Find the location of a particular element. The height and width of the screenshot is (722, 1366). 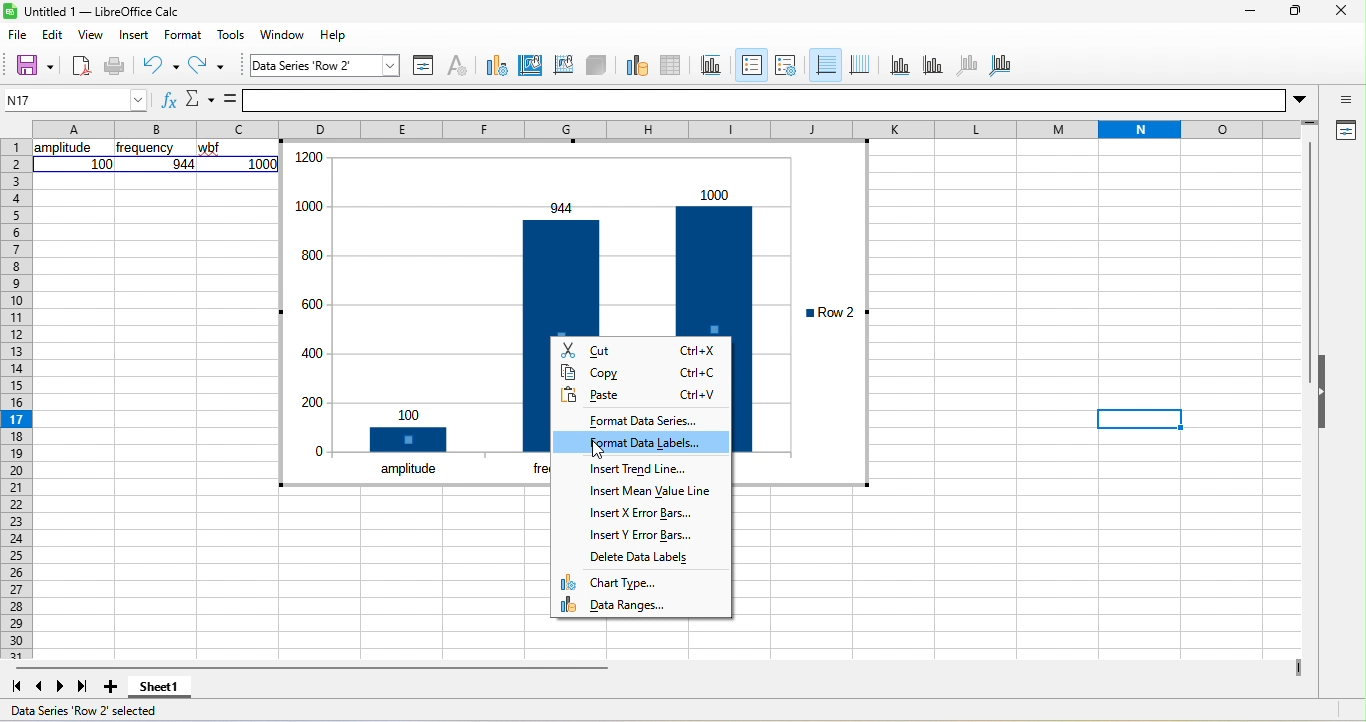

3d view is located at coordinates (599, 67).